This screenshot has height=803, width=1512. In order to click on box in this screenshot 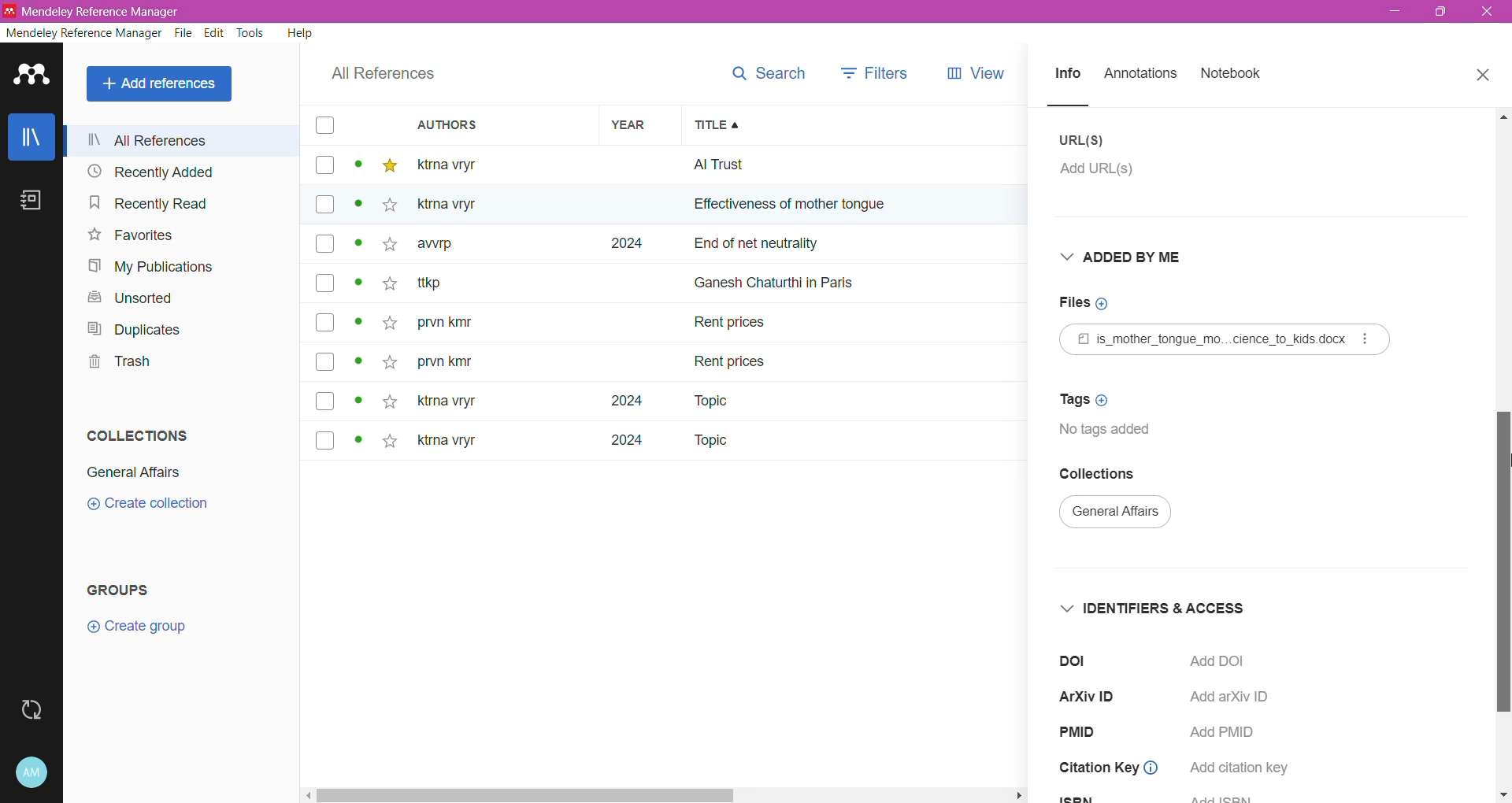, I will do `click(323, 126)`.